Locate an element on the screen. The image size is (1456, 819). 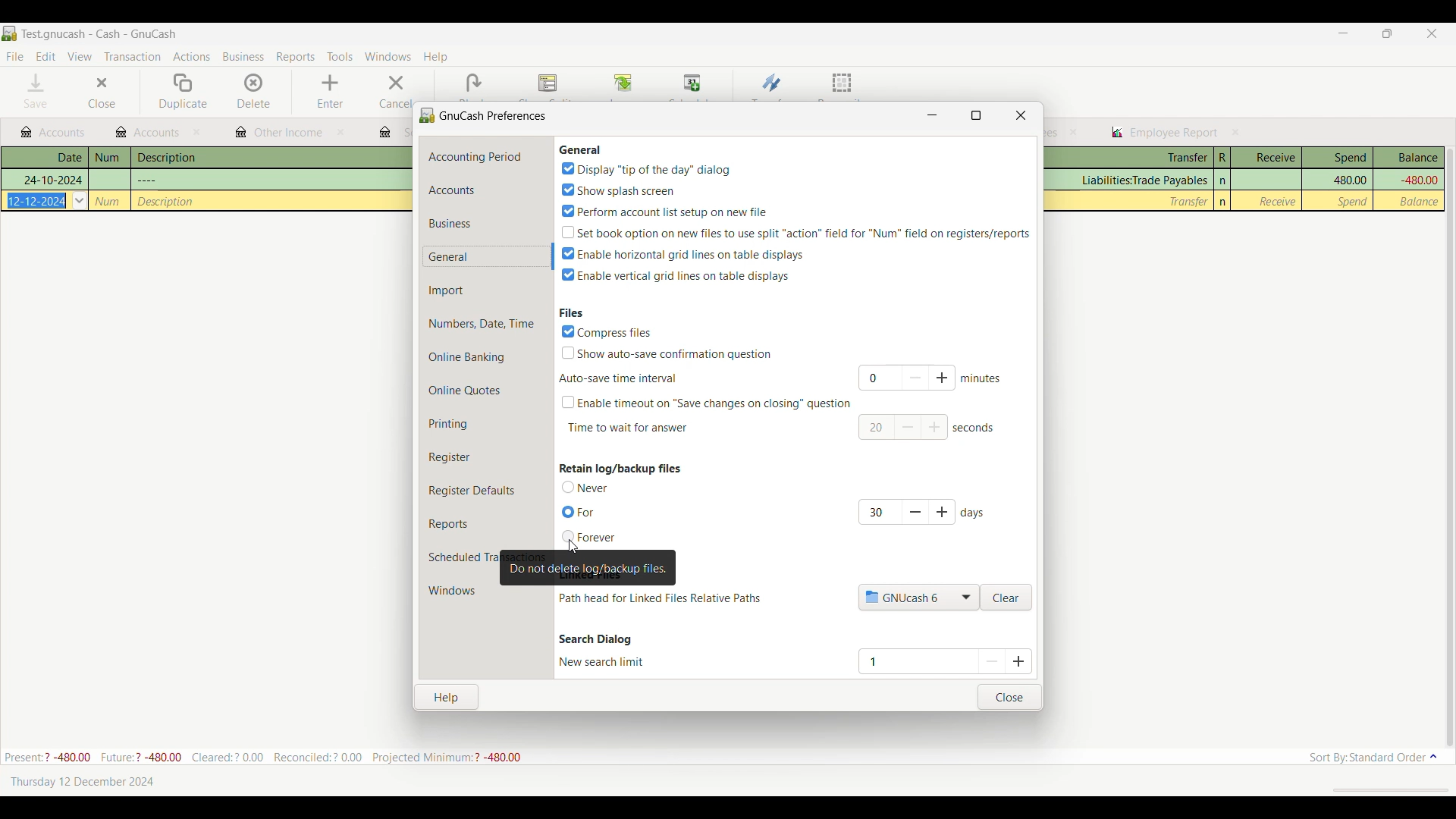
value is located at coordinates (872, 428).